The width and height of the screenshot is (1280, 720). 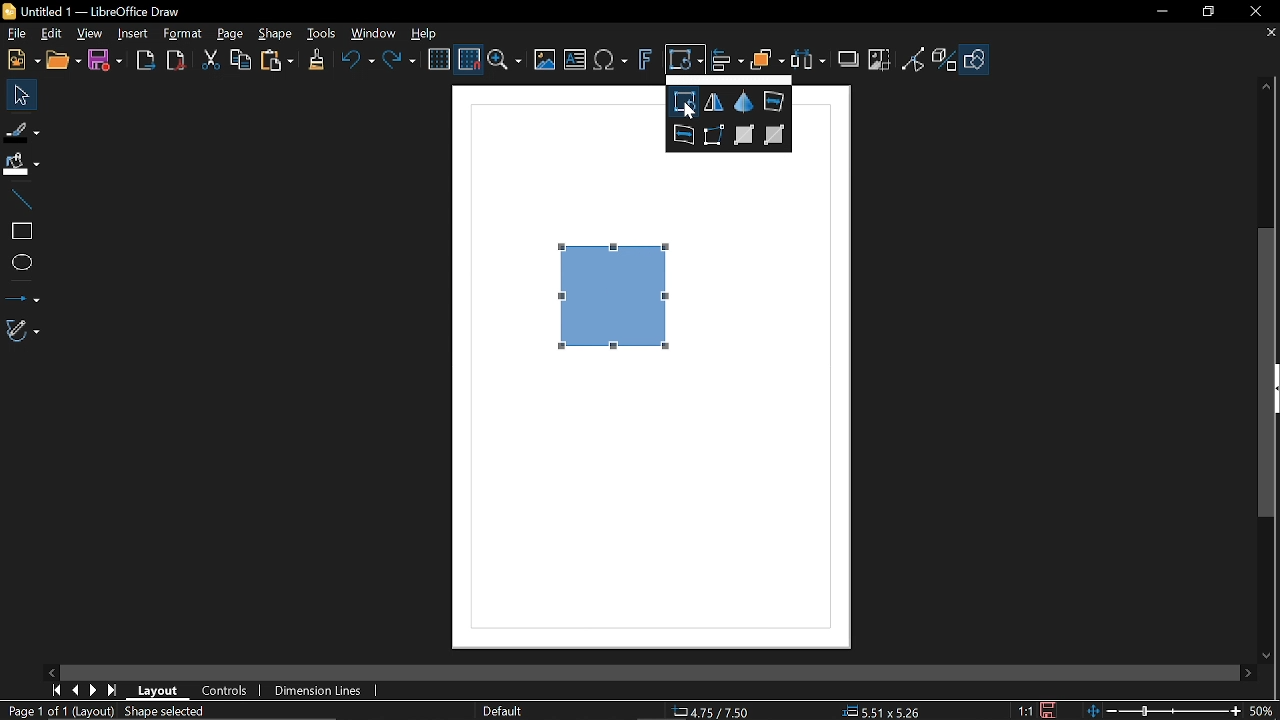 What do you see at coordinates (727, 60) in the screenshot?
I see `Align` at bounding box center [727, 60].